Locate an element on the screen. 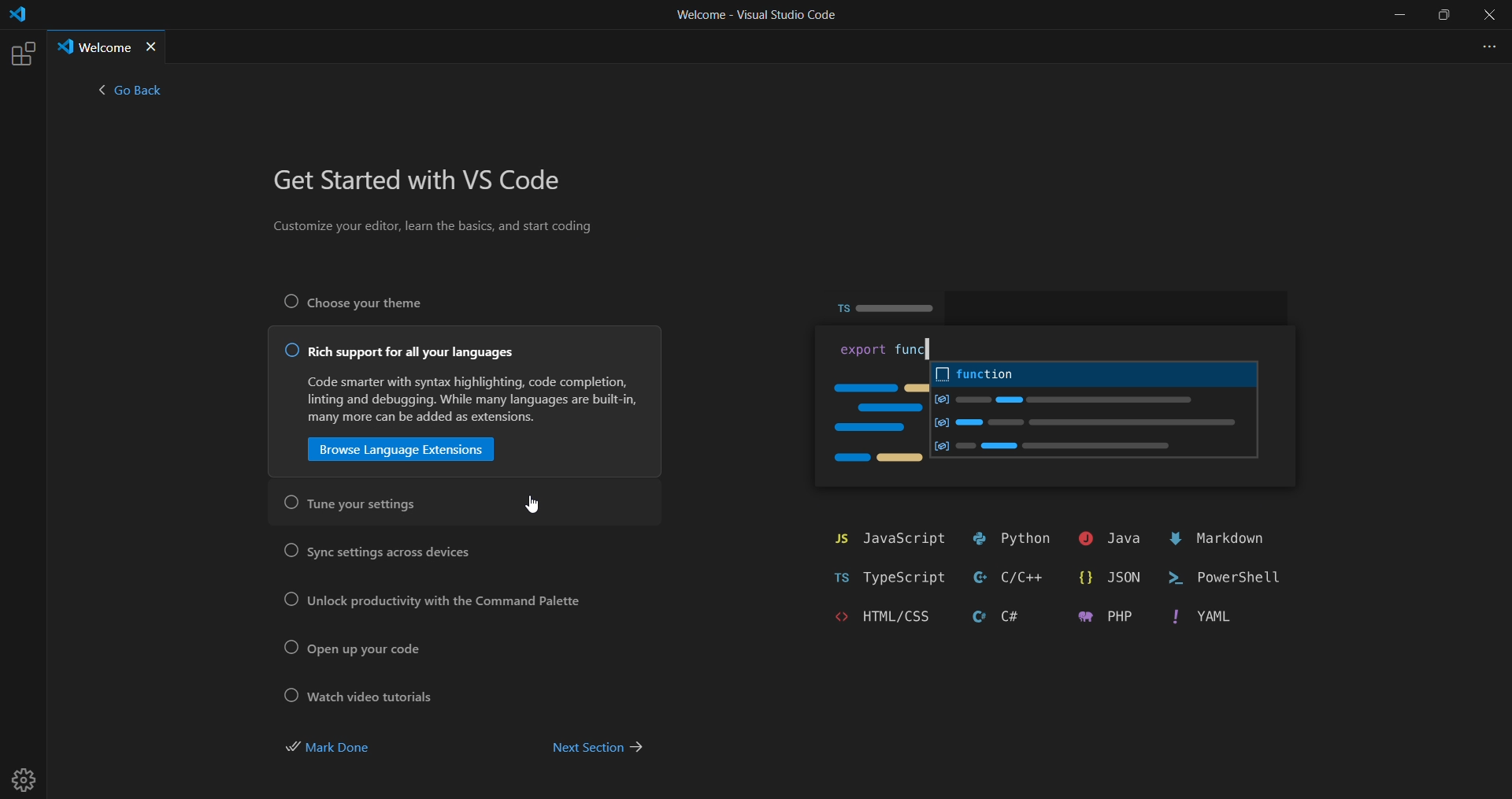 The image size is (1512, 799). settings is located at coordinates (28, 774).